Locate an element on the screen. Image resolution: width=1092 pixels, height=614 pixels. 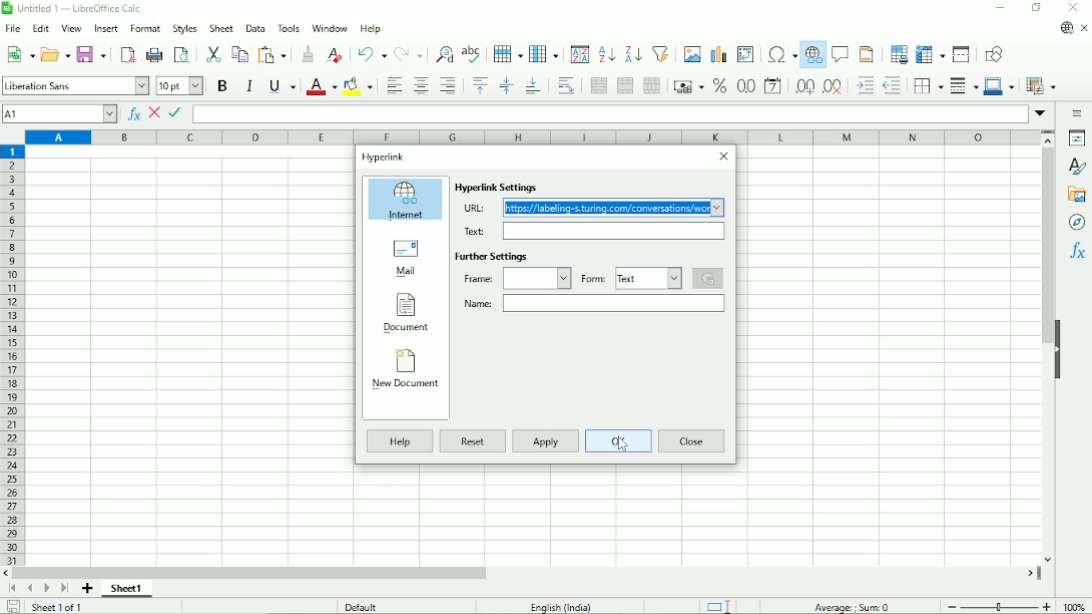
Increase indent is located at coordinates (865, 85).